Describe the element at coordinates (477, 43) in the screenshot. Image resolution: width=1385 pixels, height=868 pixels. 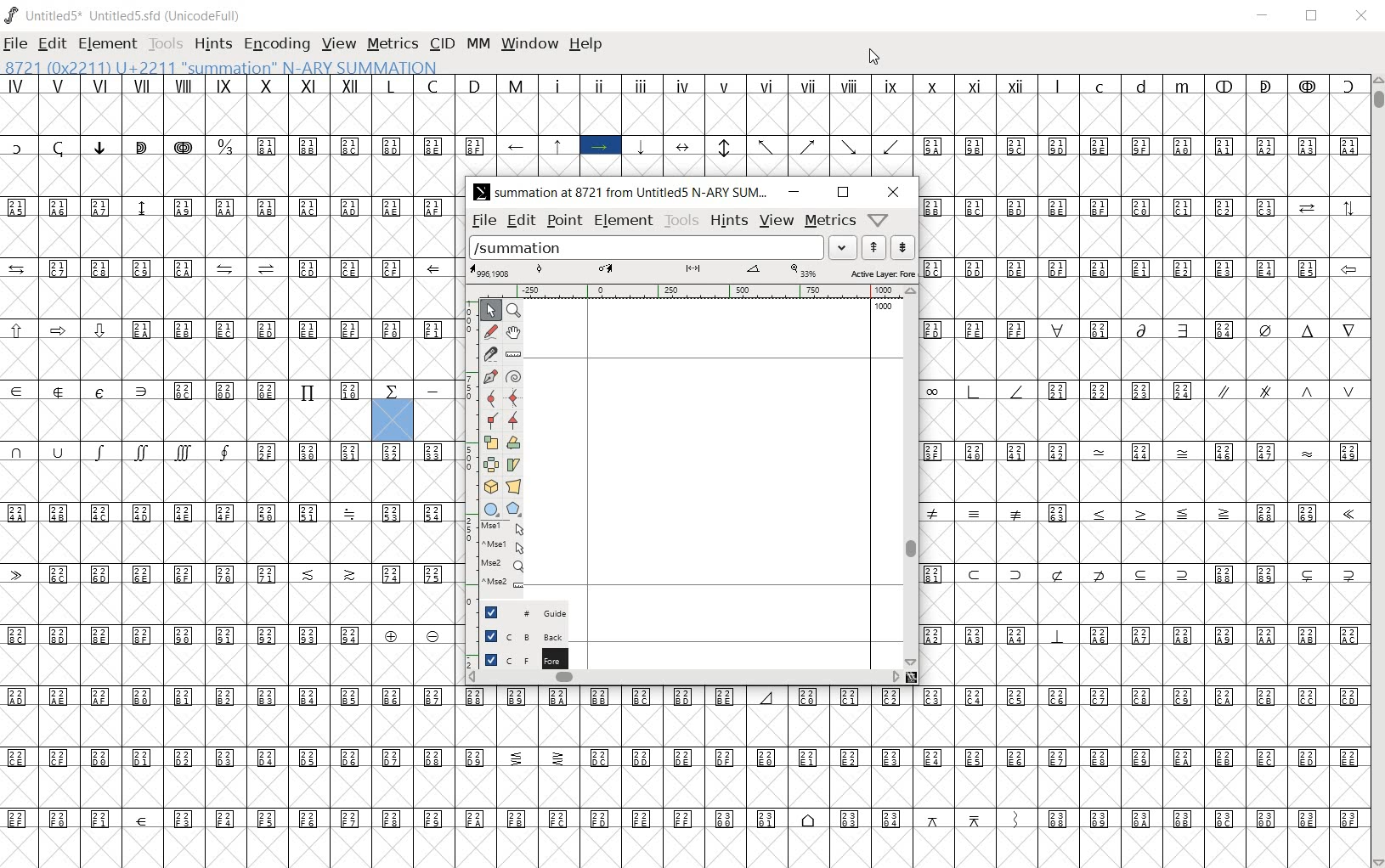
I see `MM` at that location.